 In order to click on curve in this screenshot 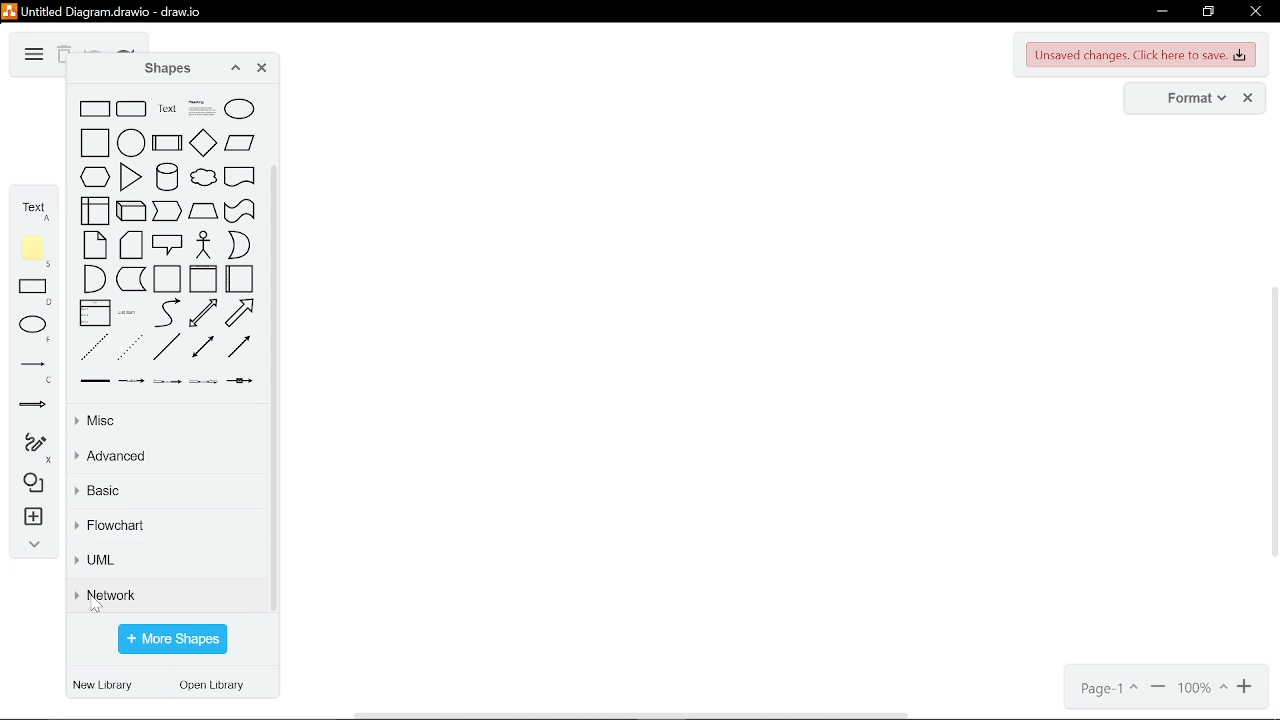, I will do `click(167, 313)`.